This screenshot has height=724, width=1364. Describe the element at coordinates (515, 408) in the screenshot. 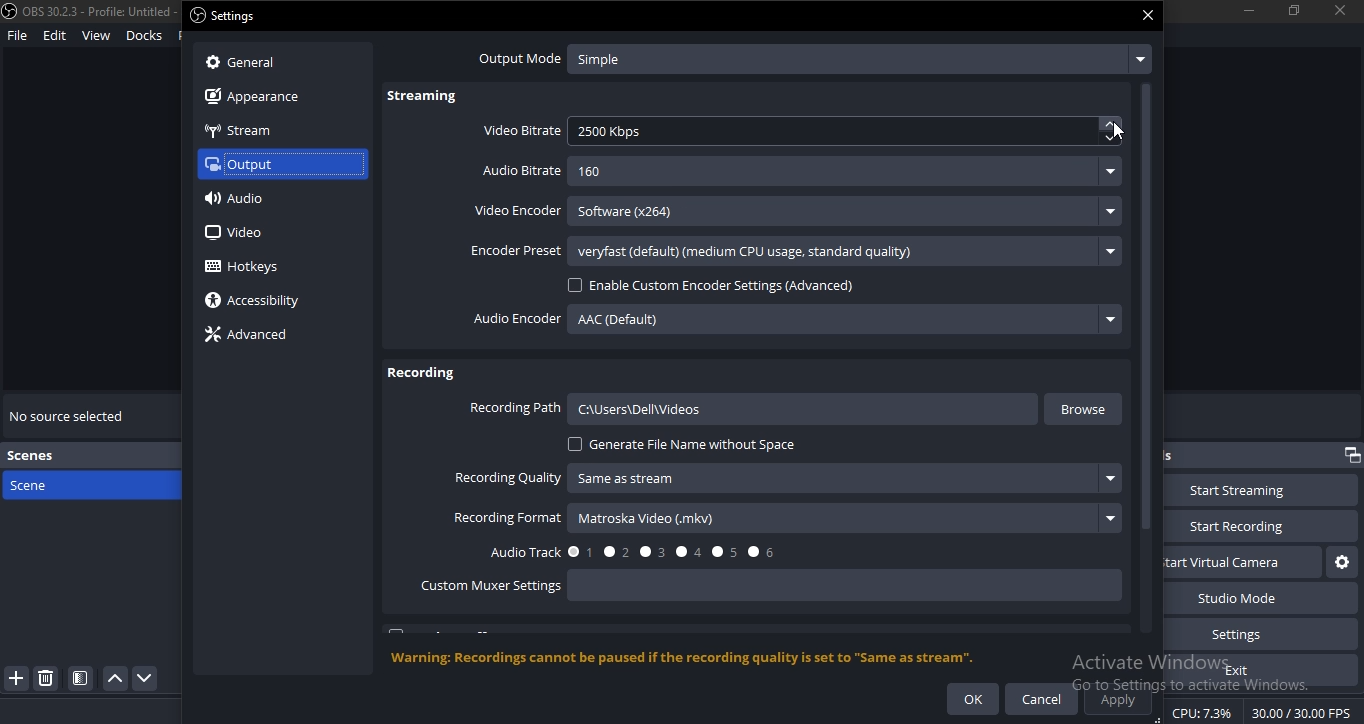

I see `recording path` at that location.